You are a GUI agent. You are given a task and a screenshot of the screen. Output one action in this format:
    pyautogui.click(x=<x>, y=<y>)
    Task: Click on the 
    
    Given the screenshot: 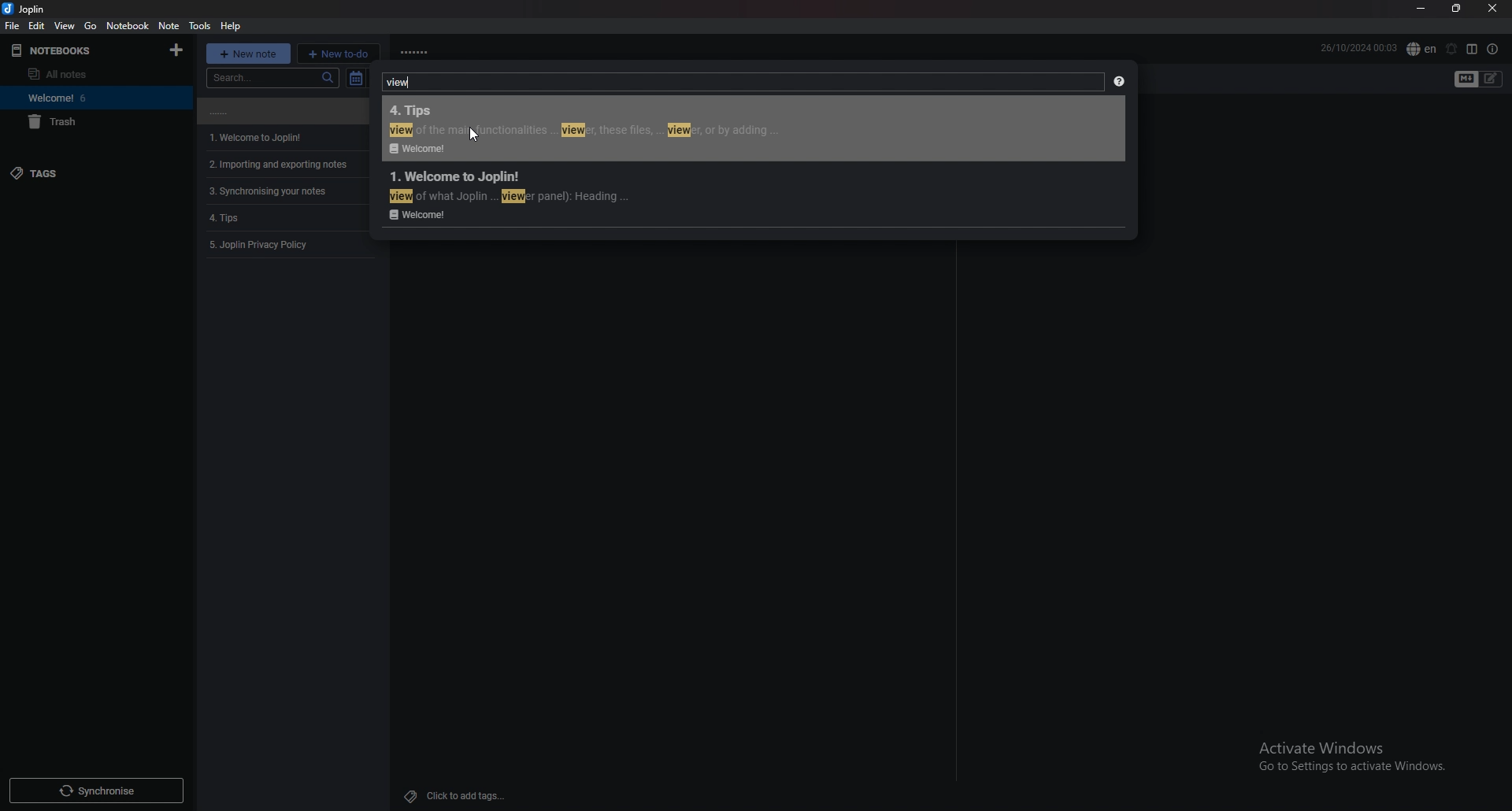 What is the action you would take?
    pyautogui.click(x=474, y=135)
    